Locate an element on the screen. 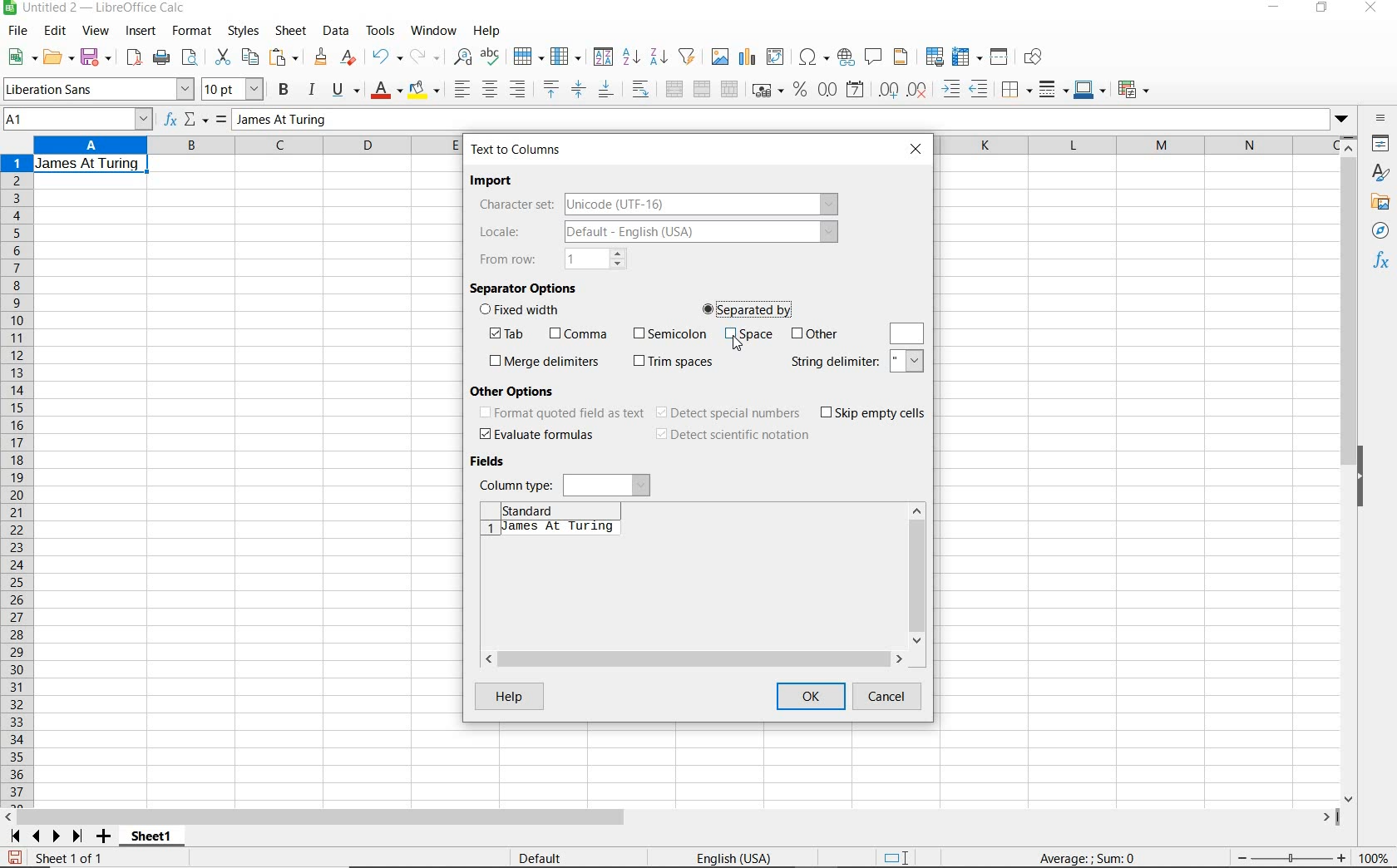 Image resolution: width=1397 pixels, height=868 pixels. format as date is located at coordinates (856, 91).